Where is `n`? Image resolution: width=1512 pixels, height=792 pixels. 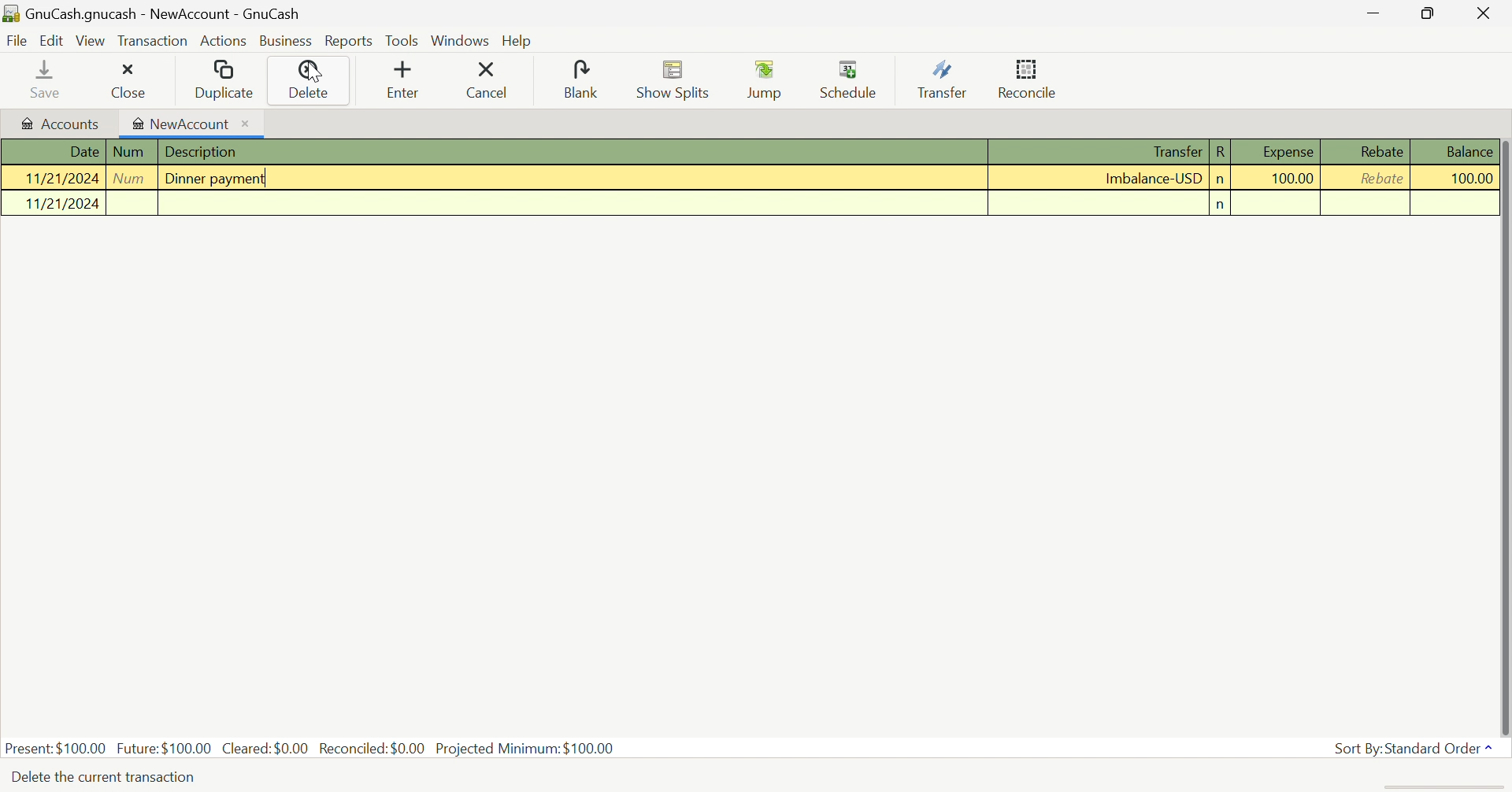
n is located at coordinates (1220, 179).